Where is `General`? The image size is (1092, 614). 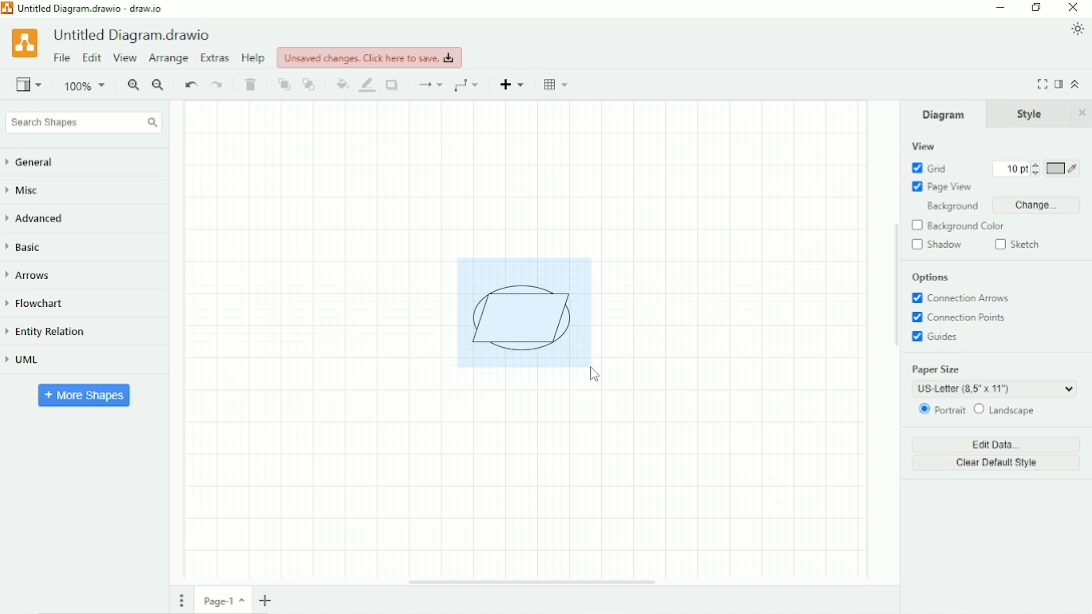 General is located at coordinates (40, 163).